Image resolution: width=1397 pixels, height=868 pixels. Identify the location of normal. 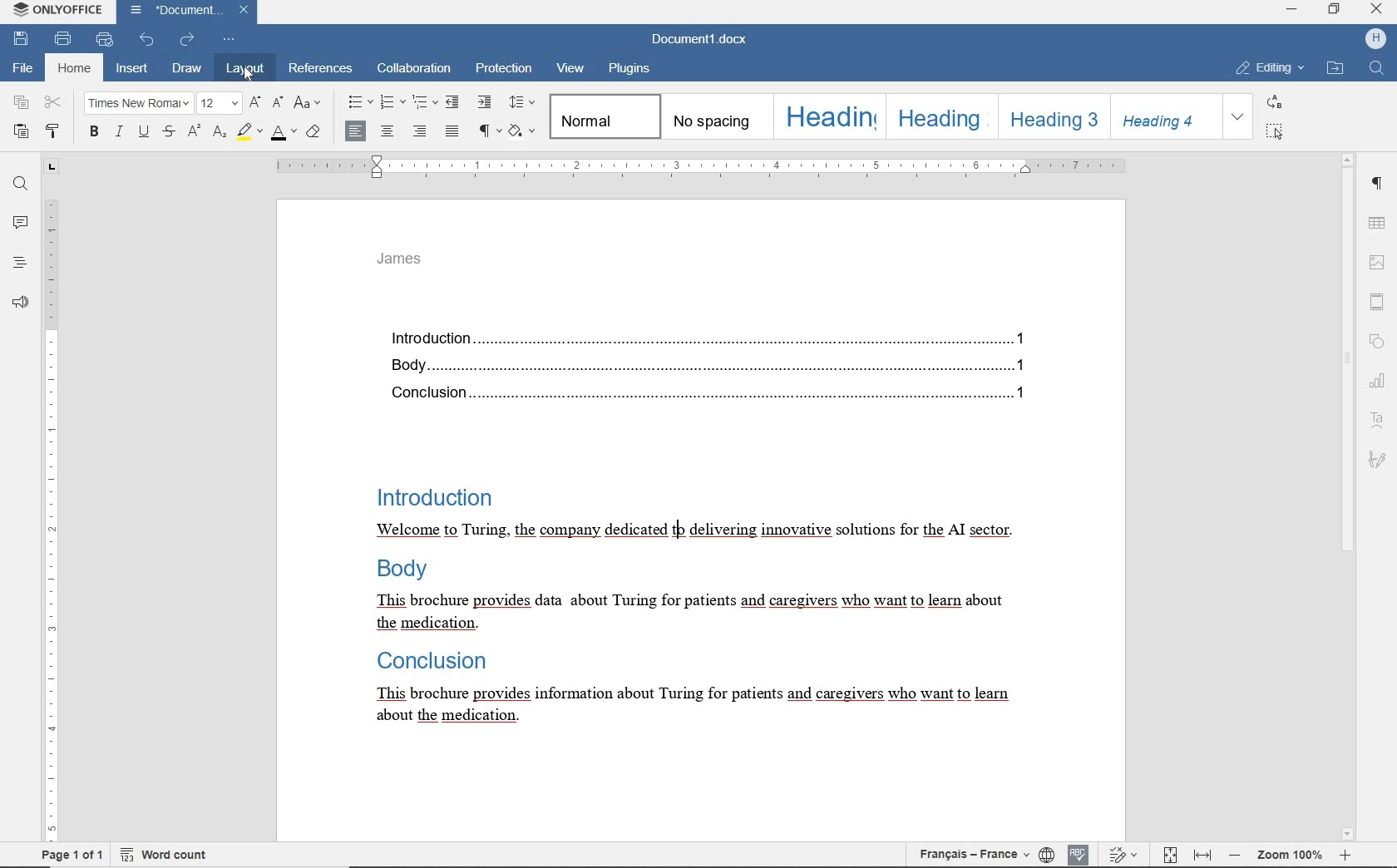
(604, 115).